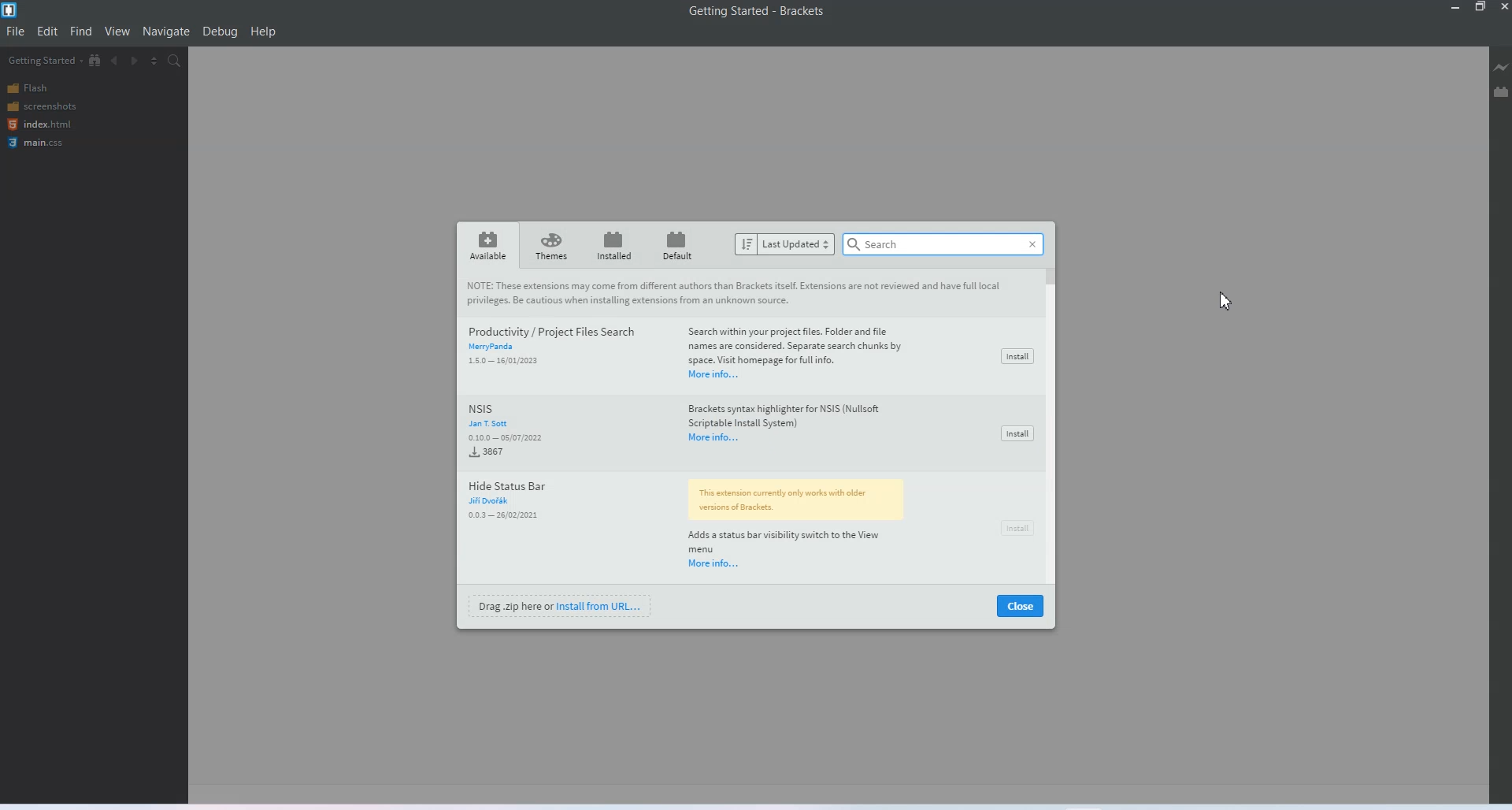 This screenshot has width=1512, height=810. I want to click on Last updated, so click(785, 243).